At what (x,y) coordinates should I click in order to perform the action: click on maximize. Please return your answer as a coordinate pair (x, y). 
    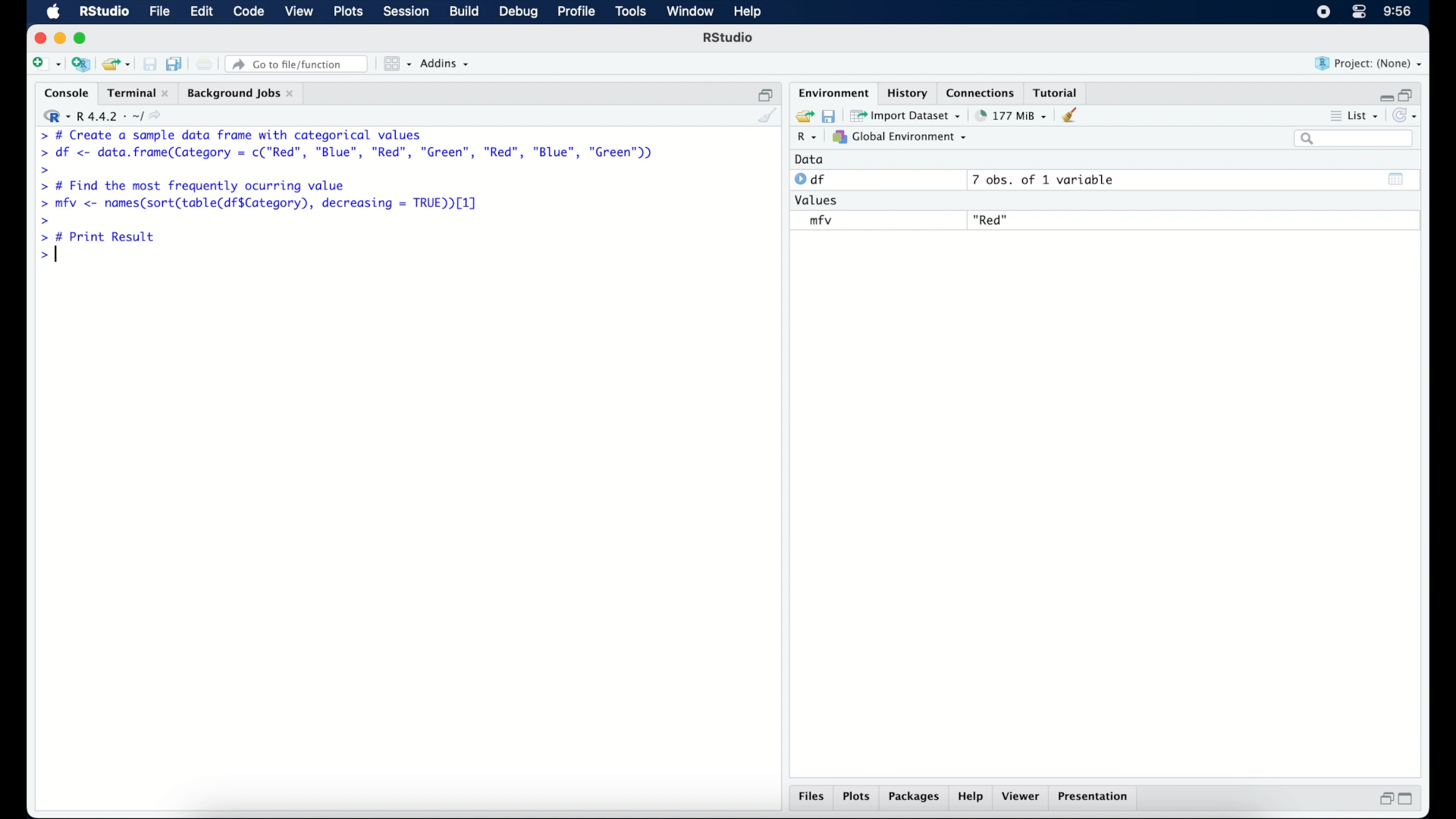
    Looking at the image, I should click on (1407, 801).